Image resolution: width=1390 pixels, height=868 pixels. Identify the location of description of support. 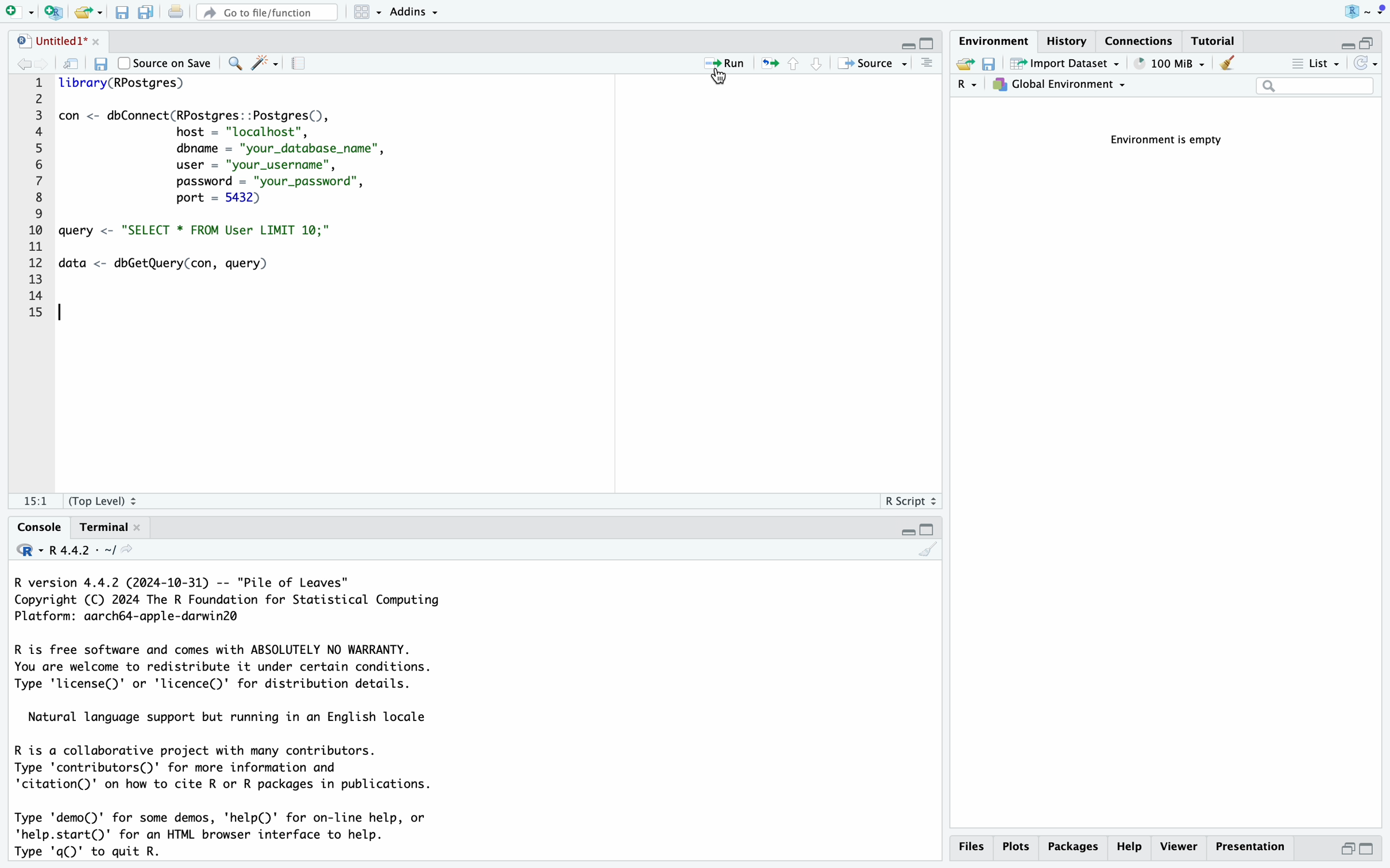
(229, 719).